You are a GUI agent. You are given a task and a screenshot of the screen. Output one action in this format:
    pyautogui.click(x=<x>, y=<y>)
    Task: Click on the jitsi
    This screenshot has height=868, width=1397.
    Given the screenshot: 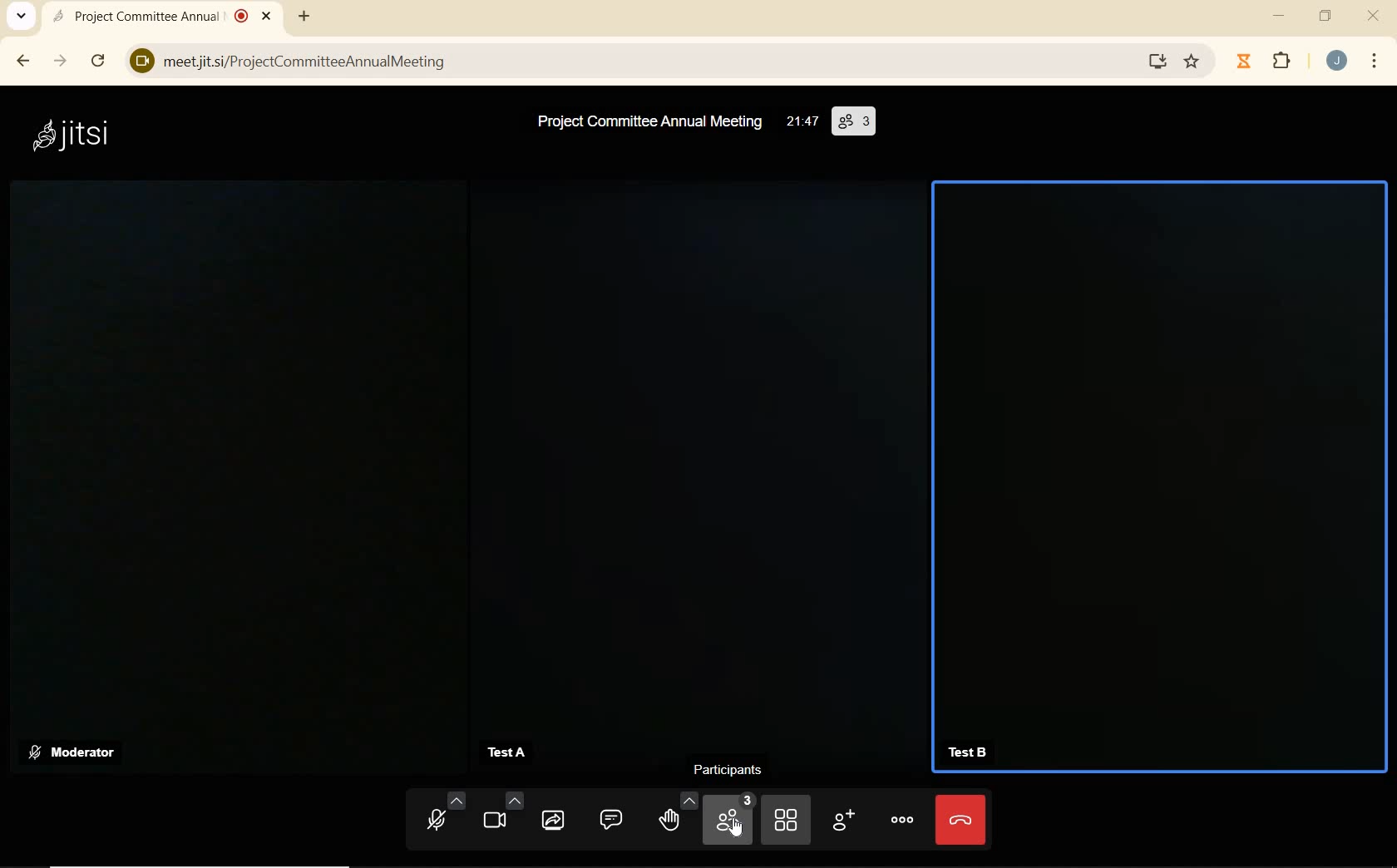 What is the action you would take?
    pyautogui.click(x=75, y=134)
    